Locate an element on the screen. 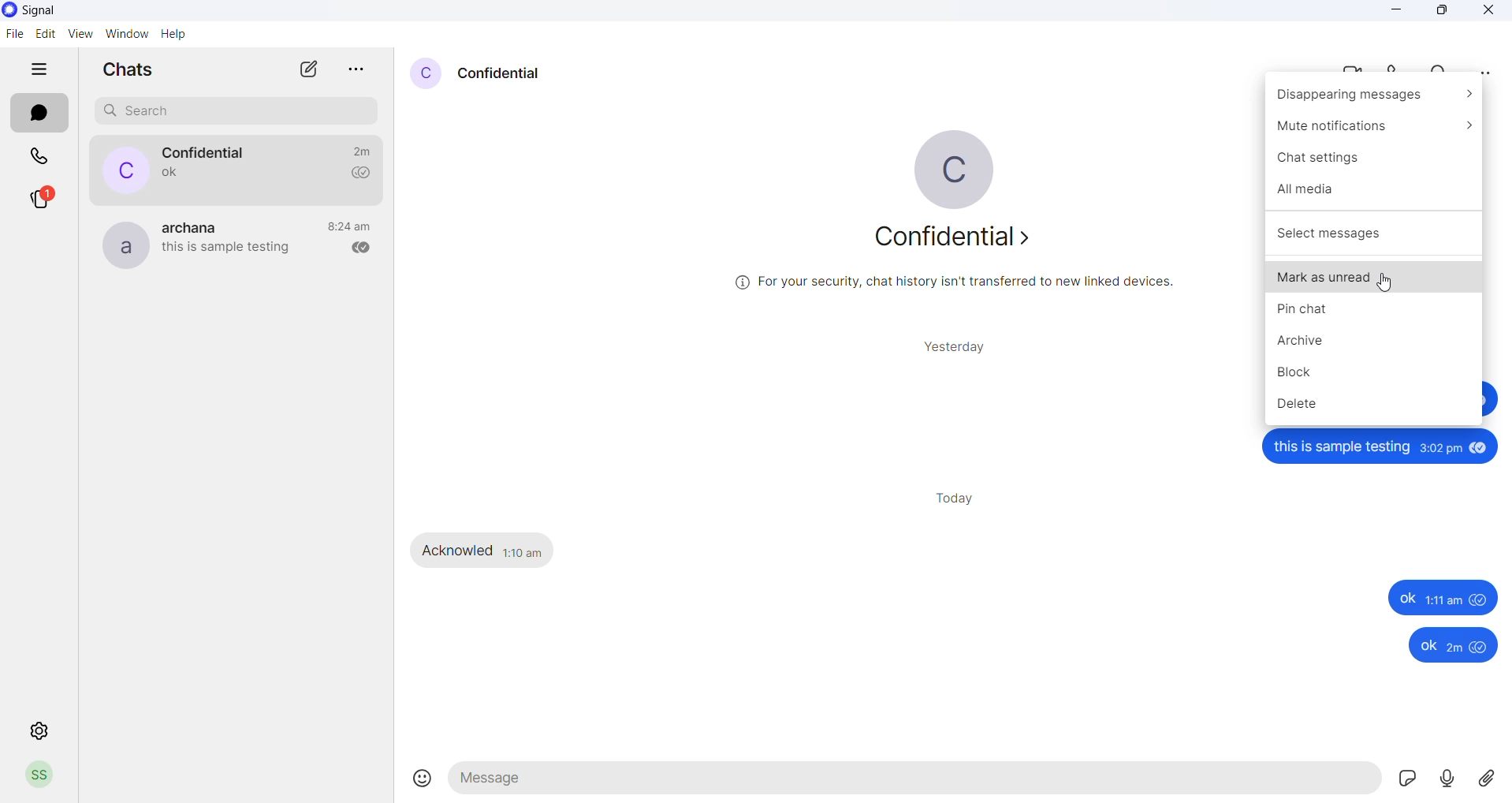  new chat is located at coordinates (297, 69).